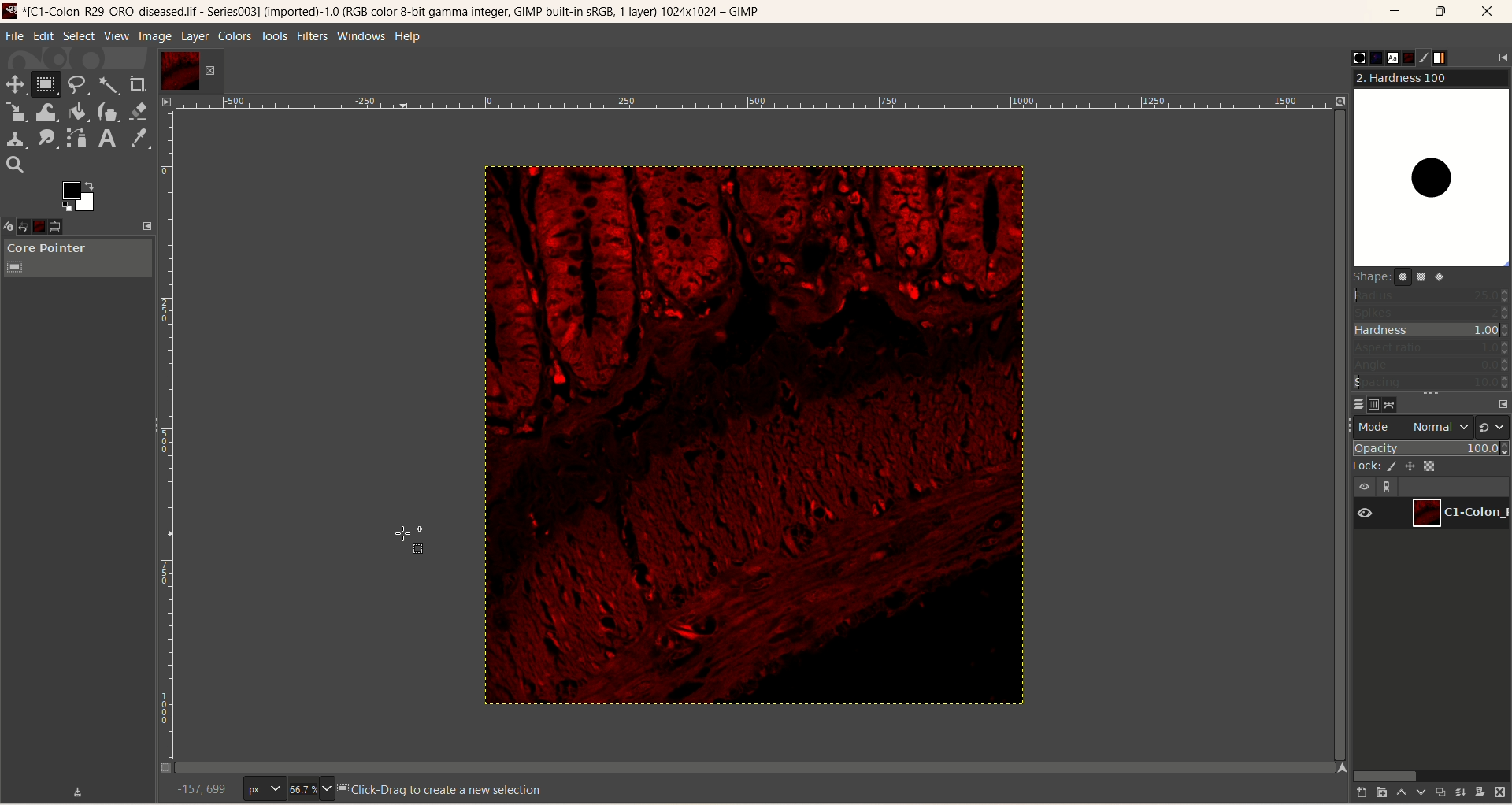 Image resolution: width=1512 pixels, height=805 pixels. Describe the element at coordinates (190, 71) in the screenshot. I see `layer1` at that location.